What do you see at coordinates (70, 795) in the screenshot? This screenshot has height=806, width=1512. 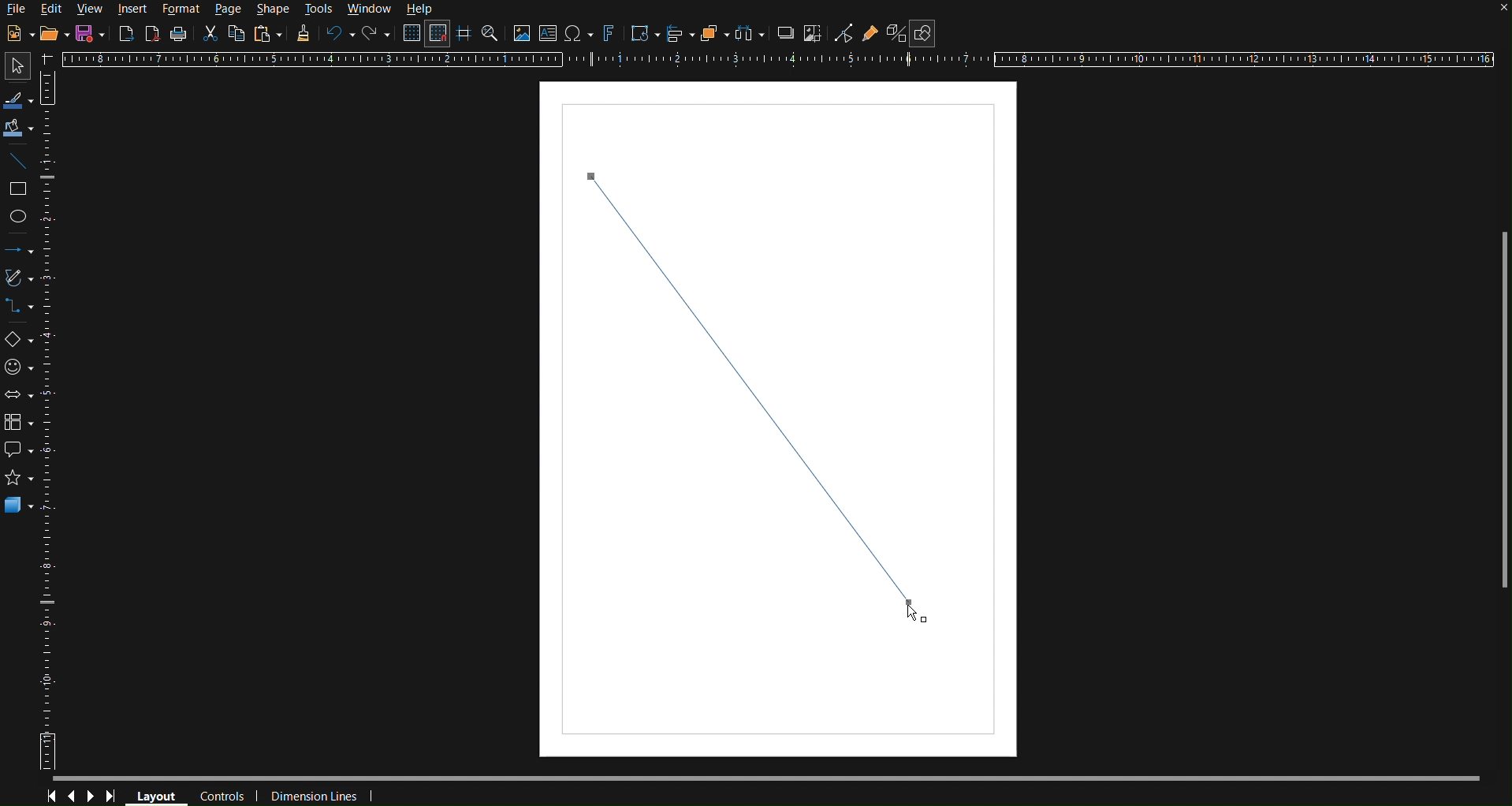 I see `Previous` at bounding box center [70, 795].